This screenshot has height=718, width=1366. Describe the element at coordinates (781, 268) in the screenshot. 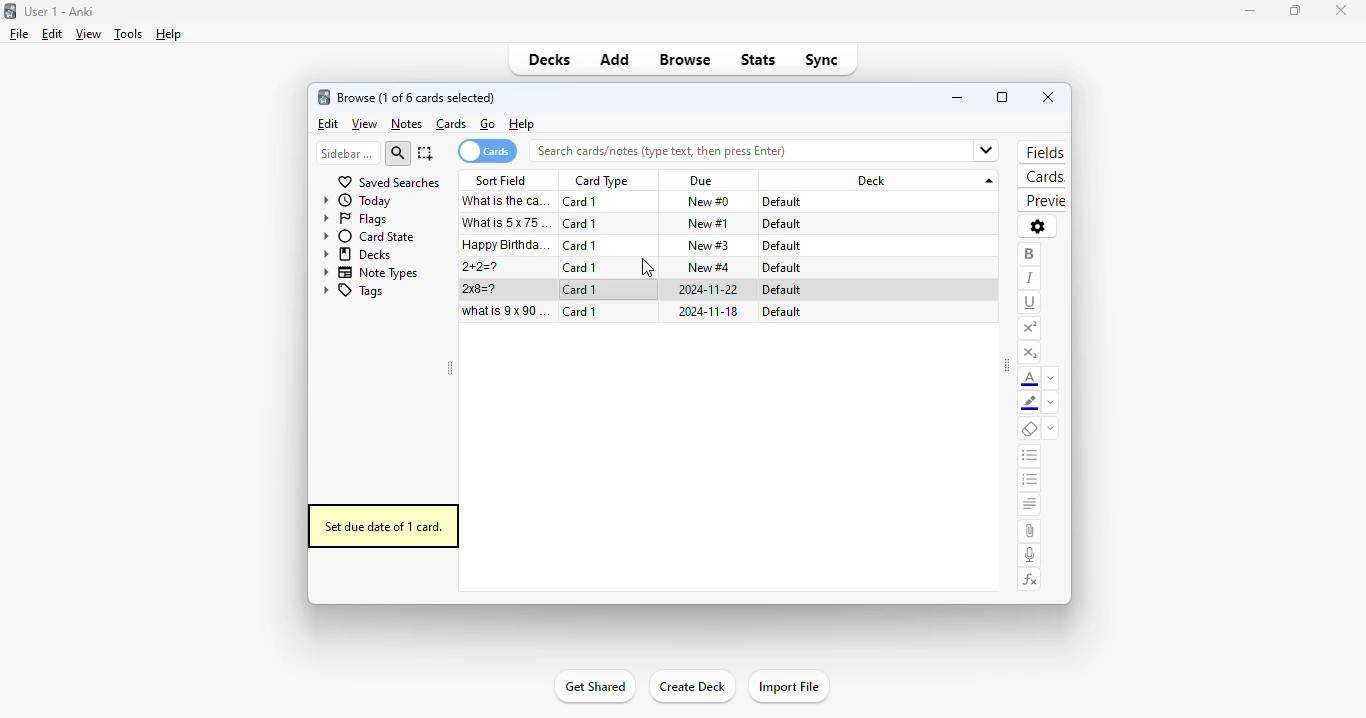

I see `default` at that location.